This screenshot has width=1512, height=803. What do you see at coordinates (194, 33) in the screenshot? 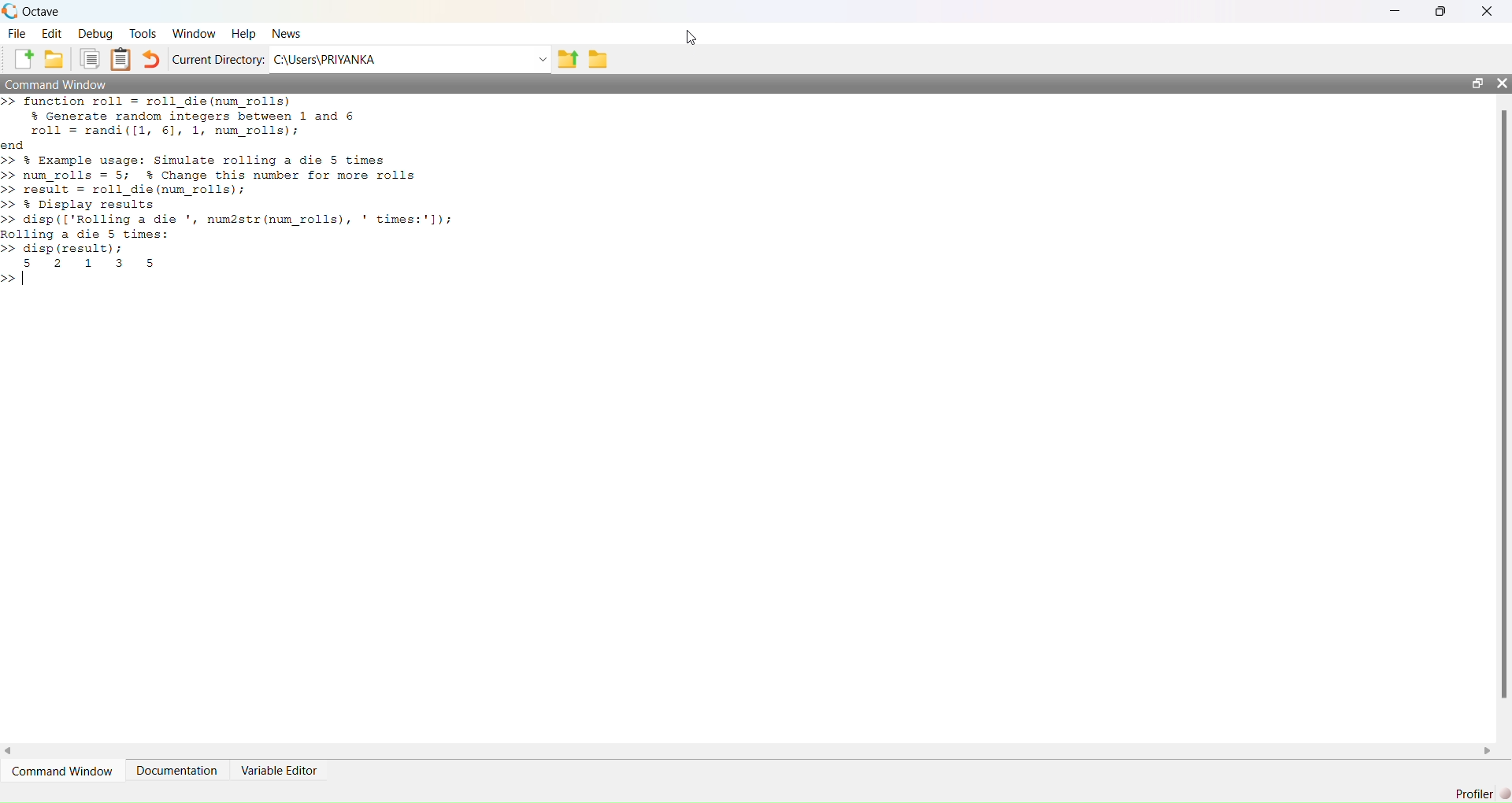
I see `Window` at bounding box center [194, 33].